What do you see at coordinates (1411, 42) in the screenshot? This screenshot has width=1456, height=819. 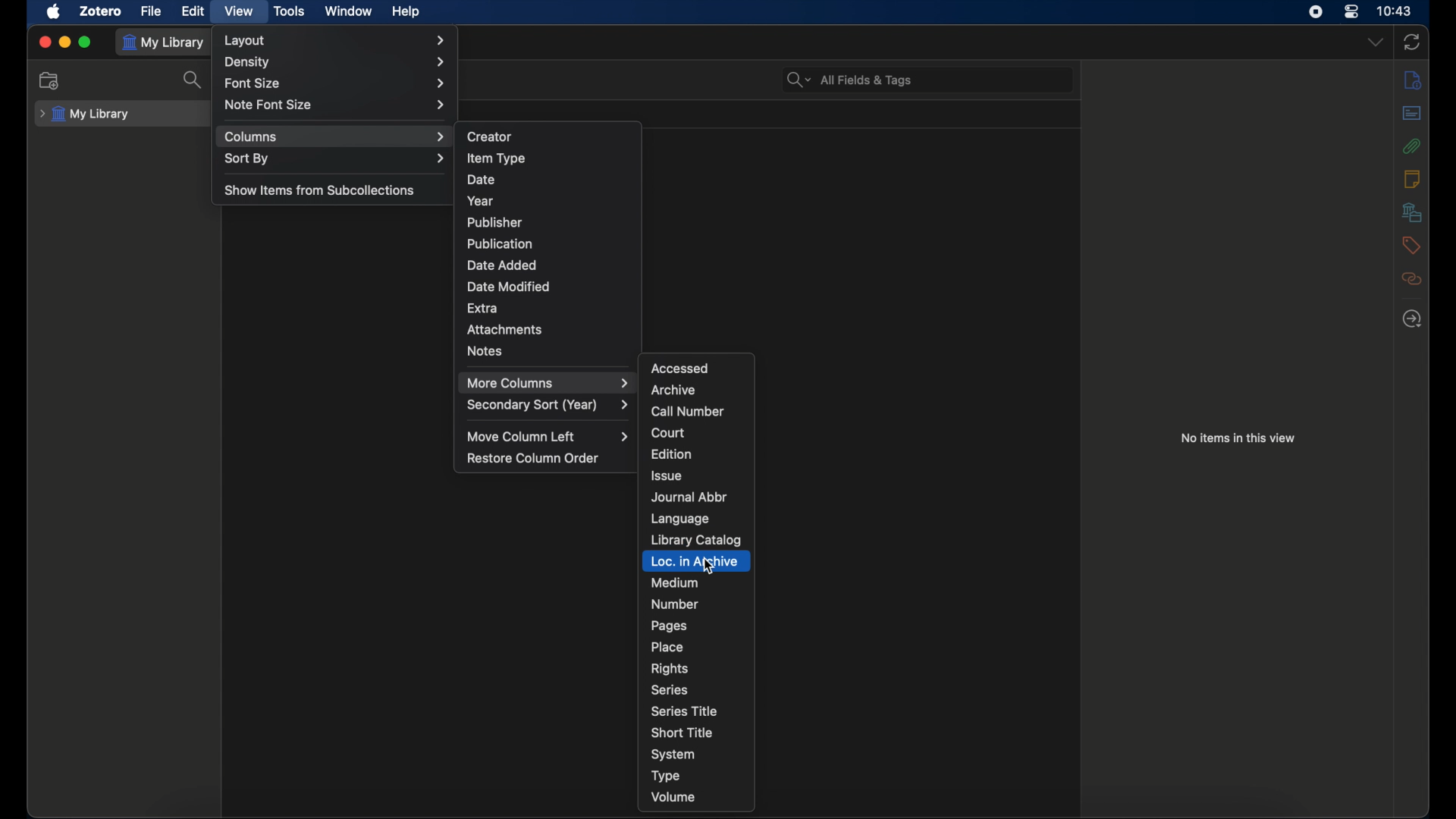 I see `sync` at bounding box center [1411, 42].